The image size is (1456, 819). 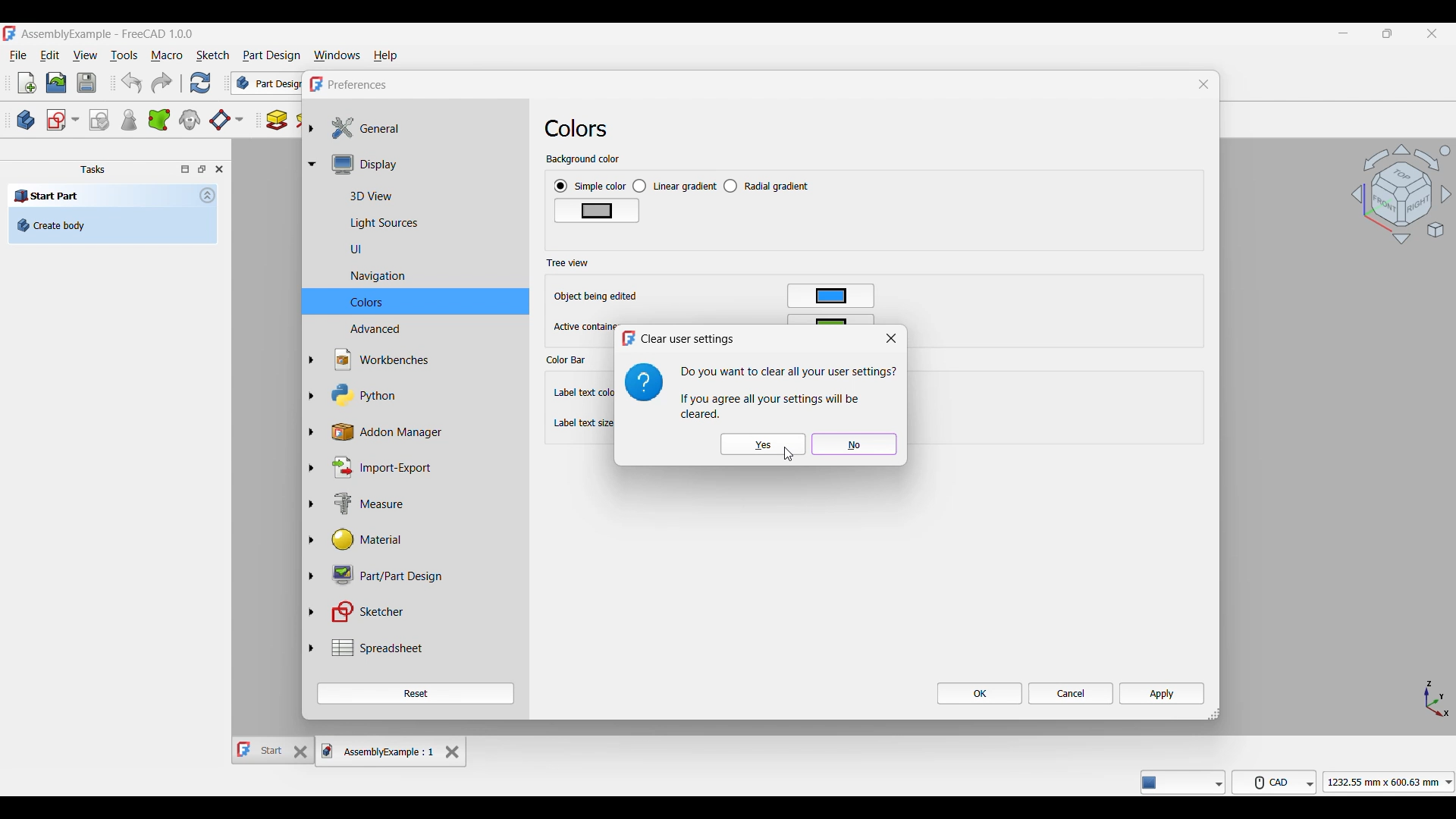 I want to click on No, so click(x=855, y=444).